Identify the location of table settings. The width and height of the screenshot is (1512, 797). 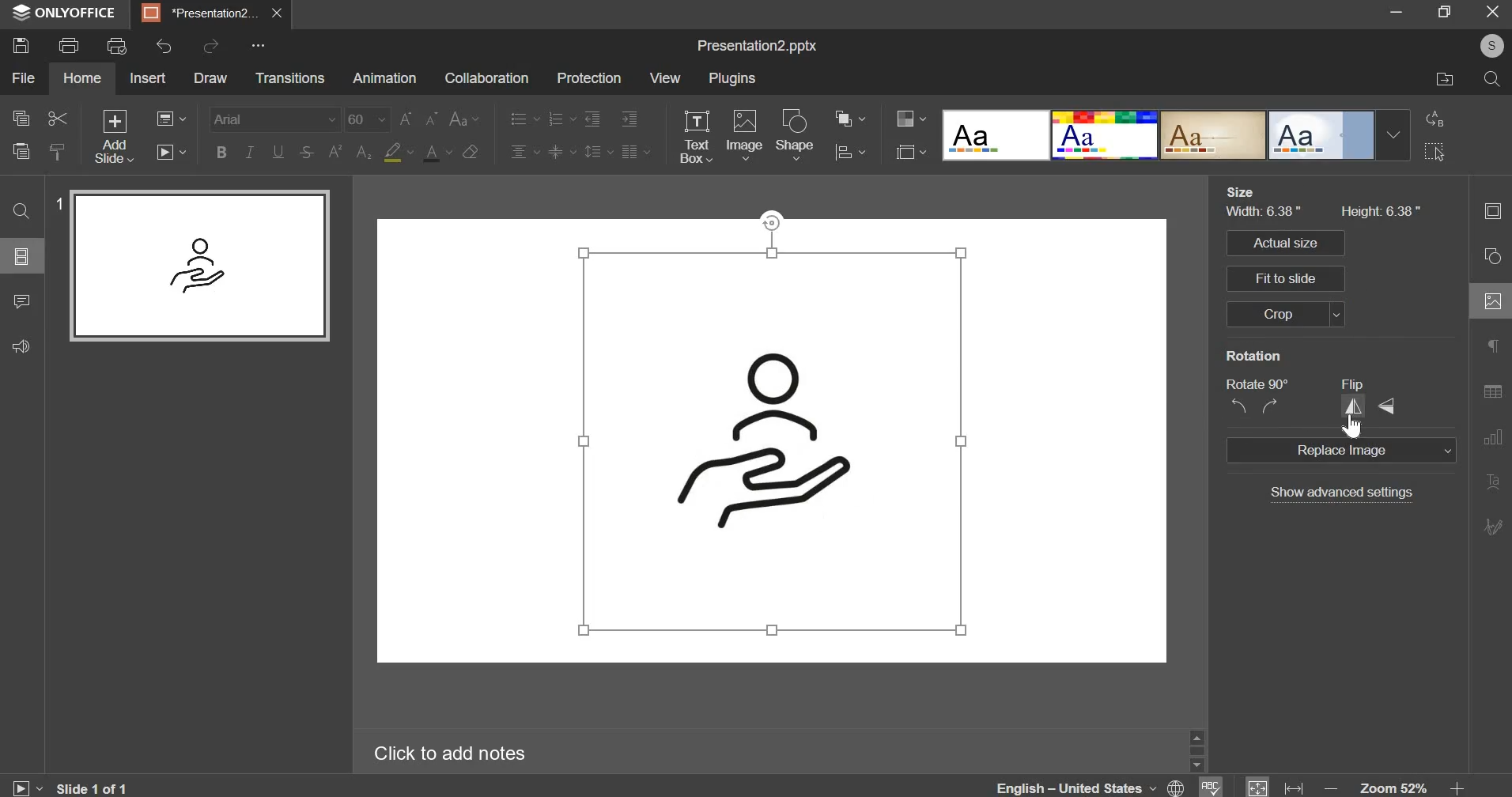
(1492, 392).